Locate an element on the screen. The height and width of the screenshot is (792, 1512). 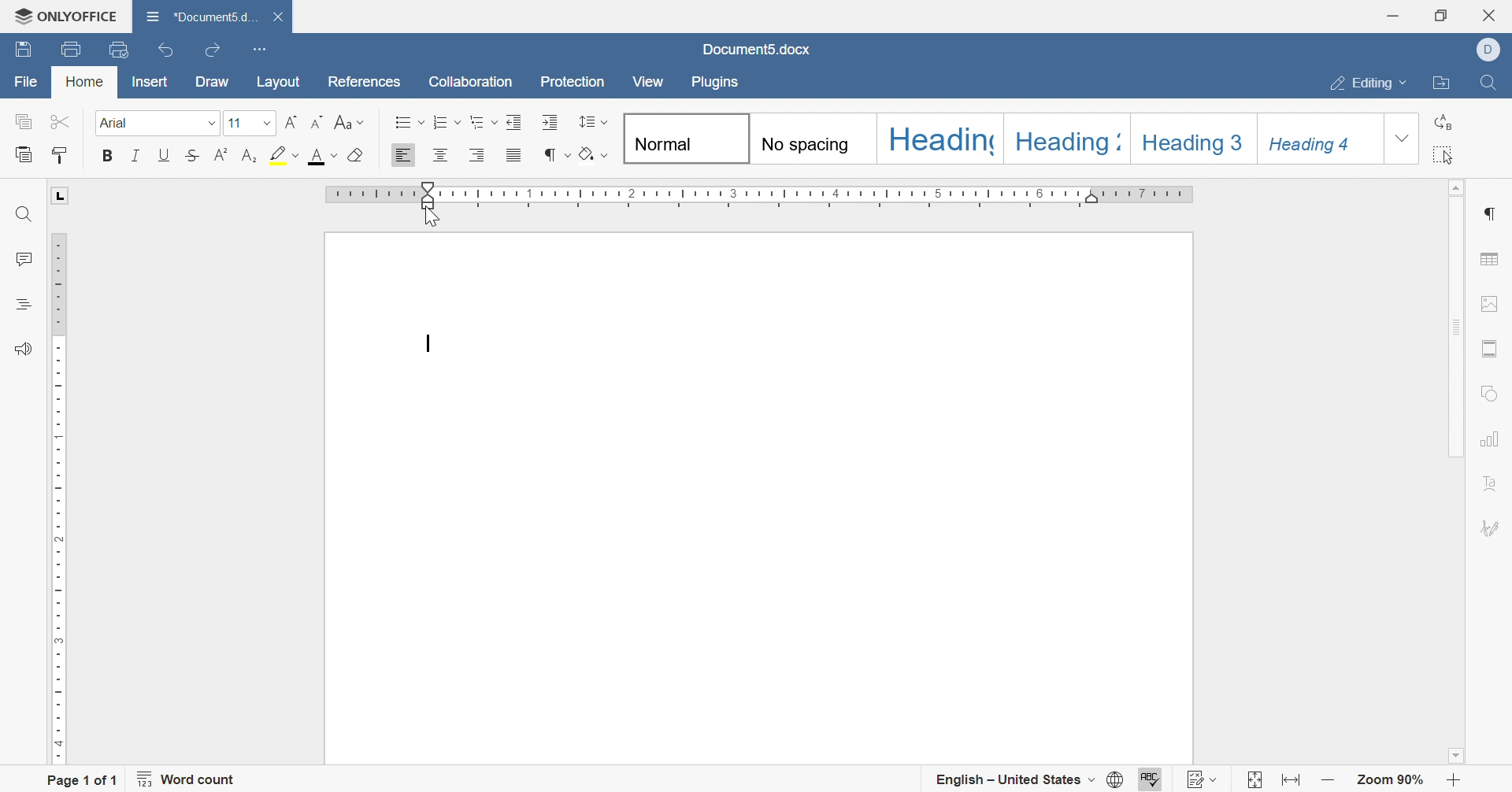
clear style is located at coordinates (358, 154).